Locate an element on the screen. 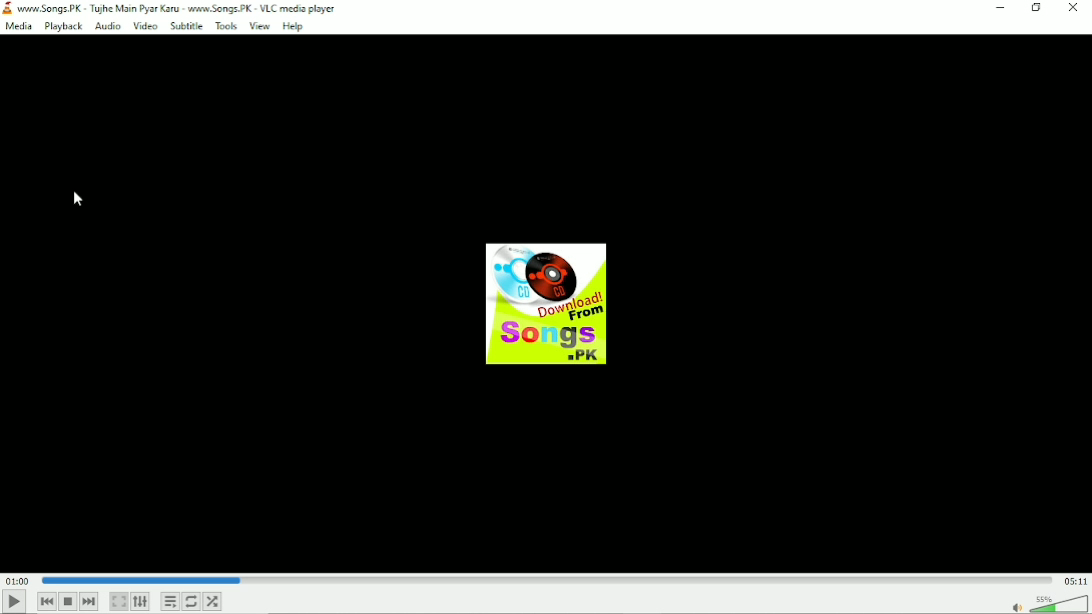  Playback is located at coordinates (62, 27).